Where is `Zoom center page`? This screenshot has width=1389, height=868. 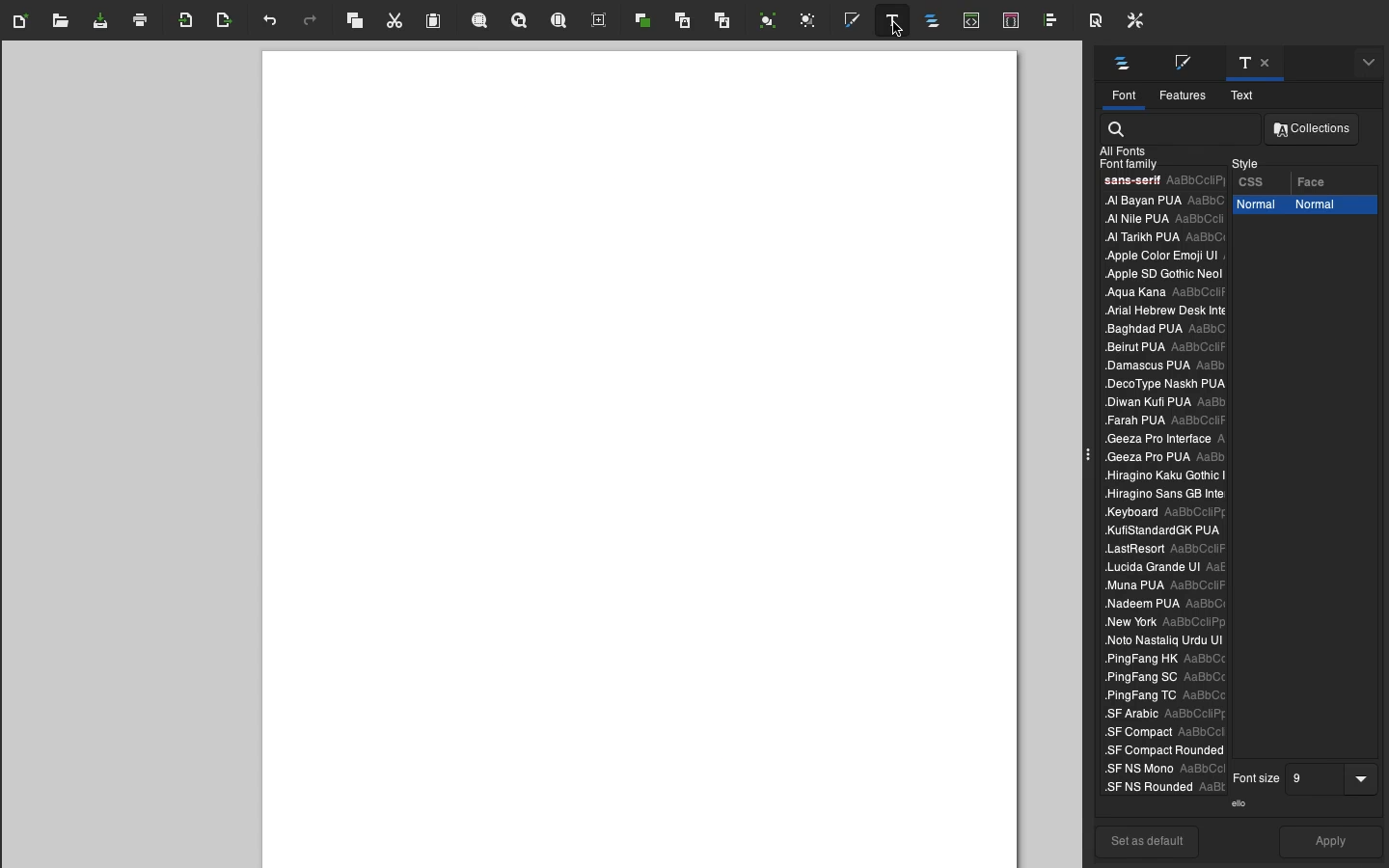
Zoom center page is located at coordinates (600, 21).